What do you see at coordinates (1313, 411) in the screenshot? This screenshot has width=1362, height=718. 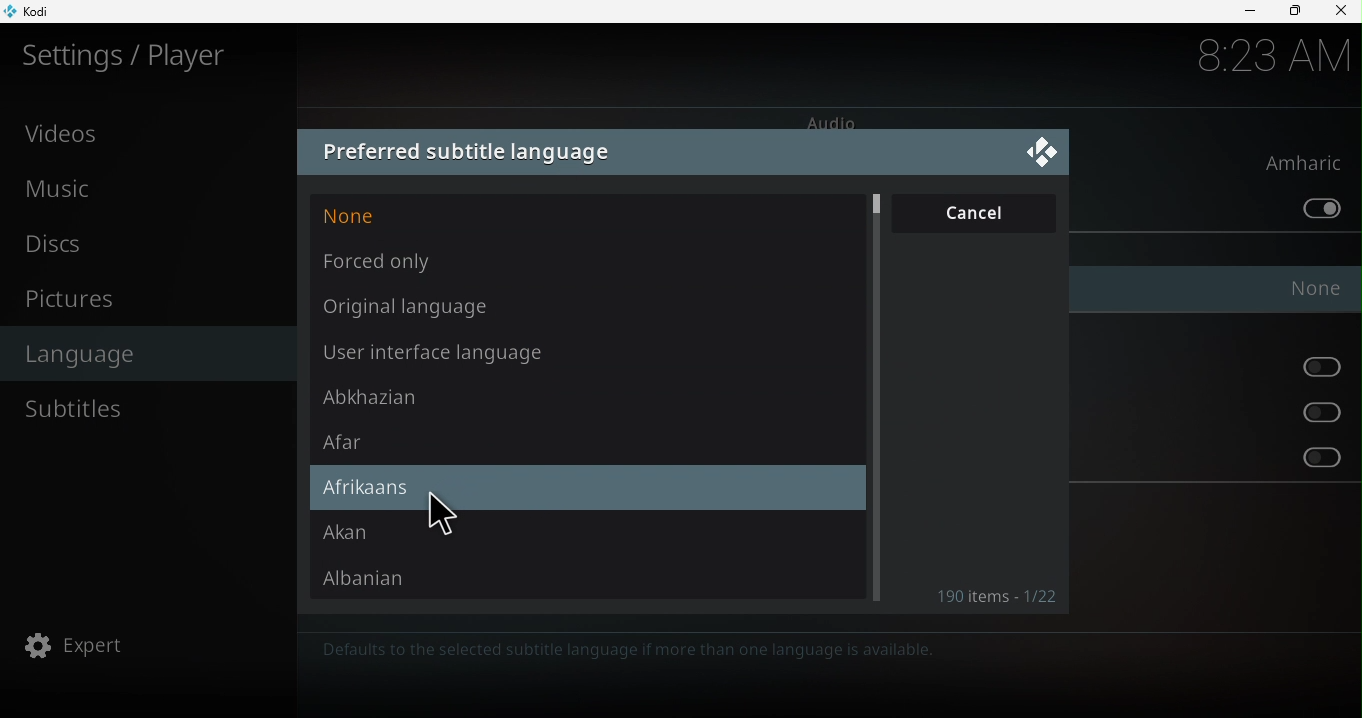 I see `Prefer audio stream for the hearing impaired` at bounding box center [1313, 411].